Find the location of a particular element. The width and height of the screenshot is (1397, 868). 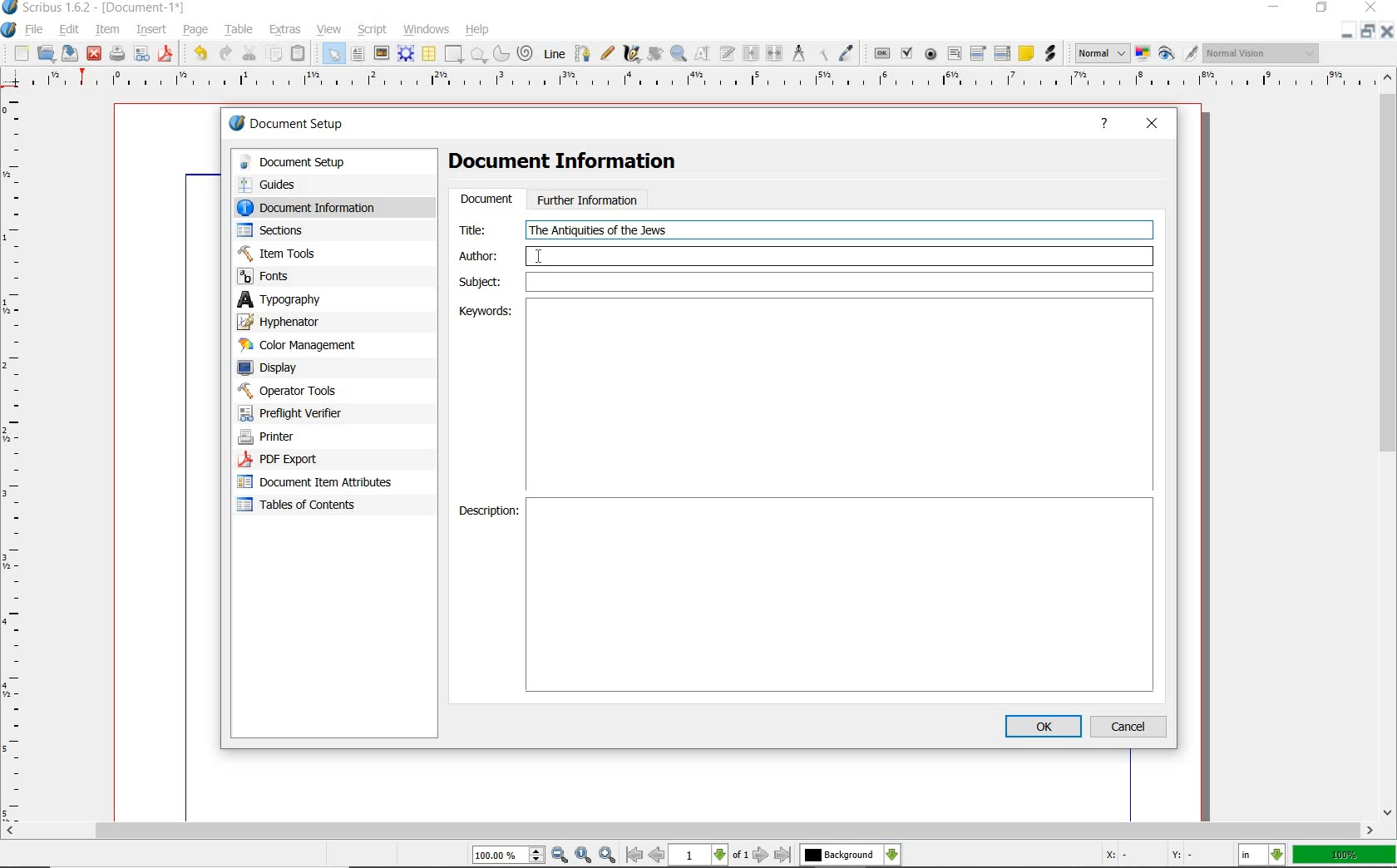

printer is located at coordinates (306, 437).